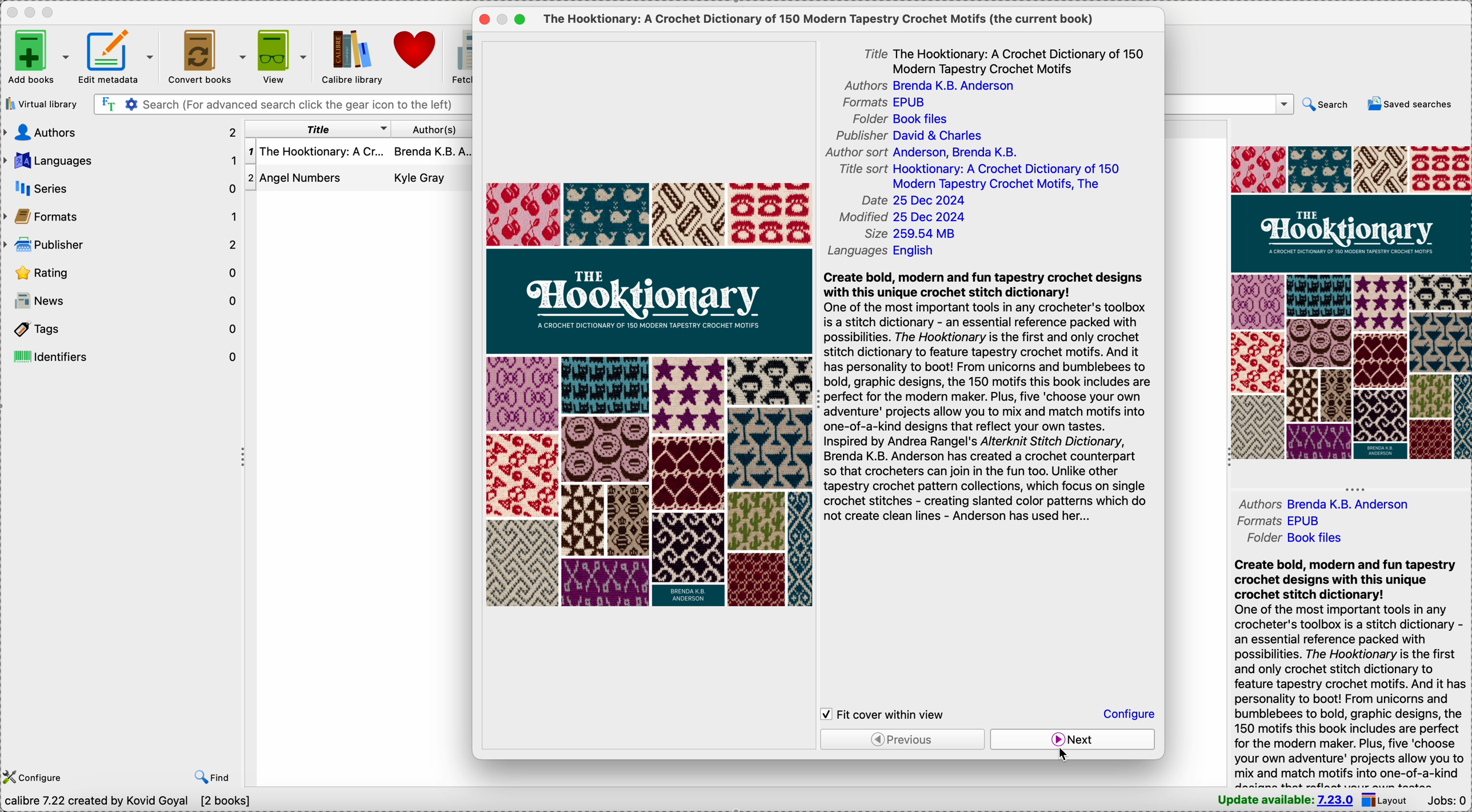 This screenshot has height=812, width=1472. I want to click on title sort, so click(980, 178).